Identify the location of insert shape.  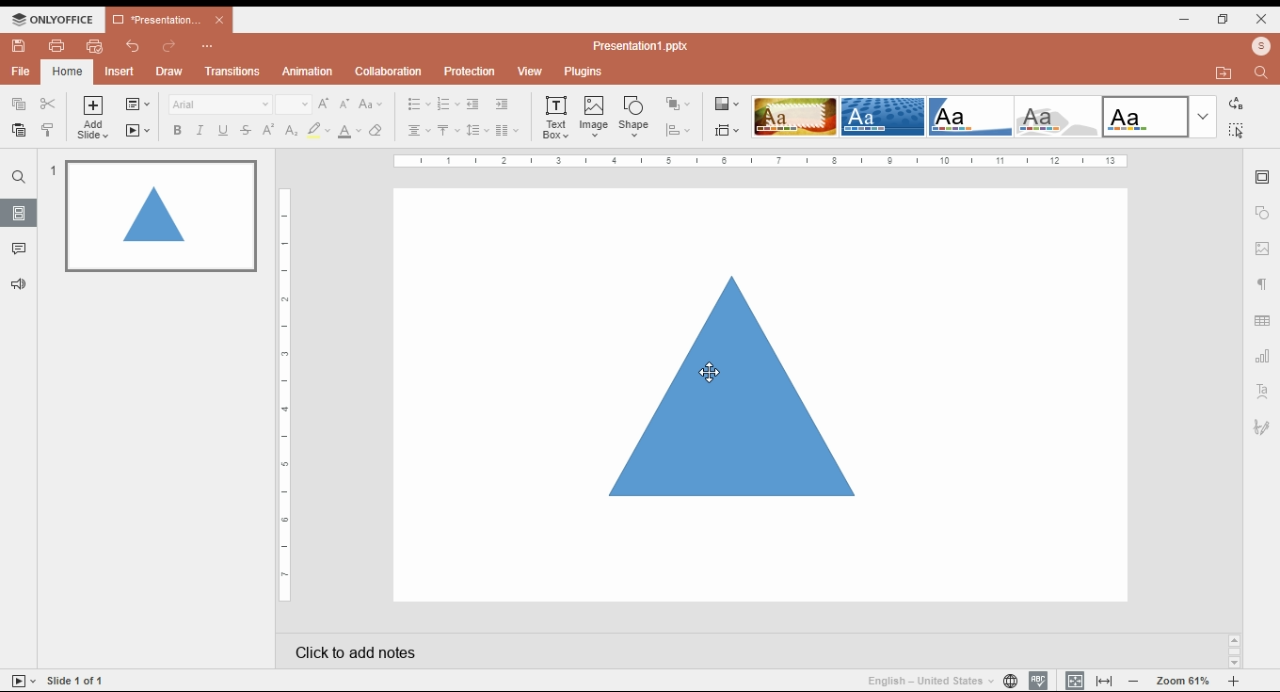
(635, 116).